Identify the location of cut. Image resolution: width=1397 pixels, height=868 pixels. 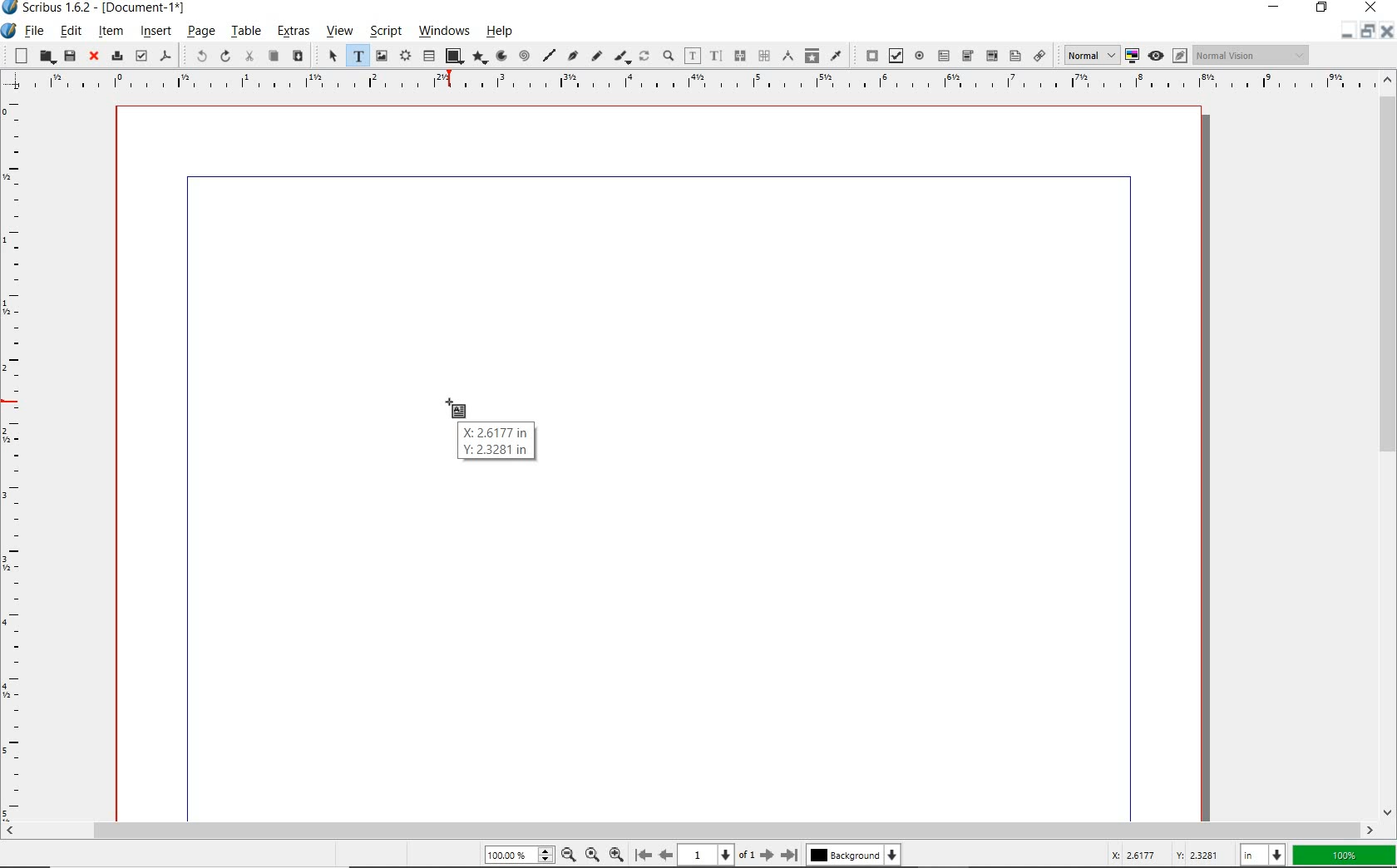
(249, 56).